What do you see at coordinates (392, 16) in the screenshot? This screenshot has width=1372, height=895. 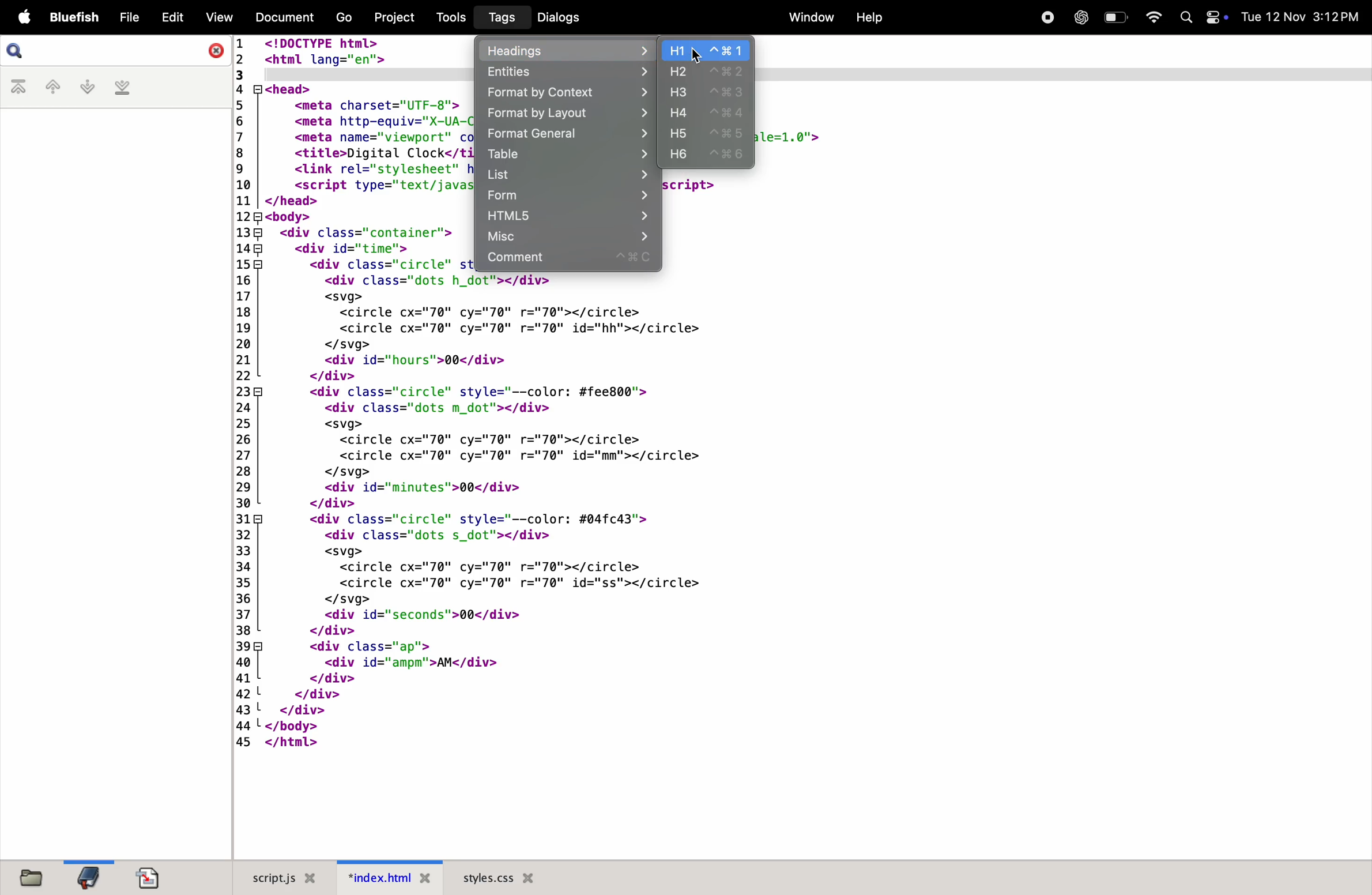 I see `project` at bounding box center [392, 16].